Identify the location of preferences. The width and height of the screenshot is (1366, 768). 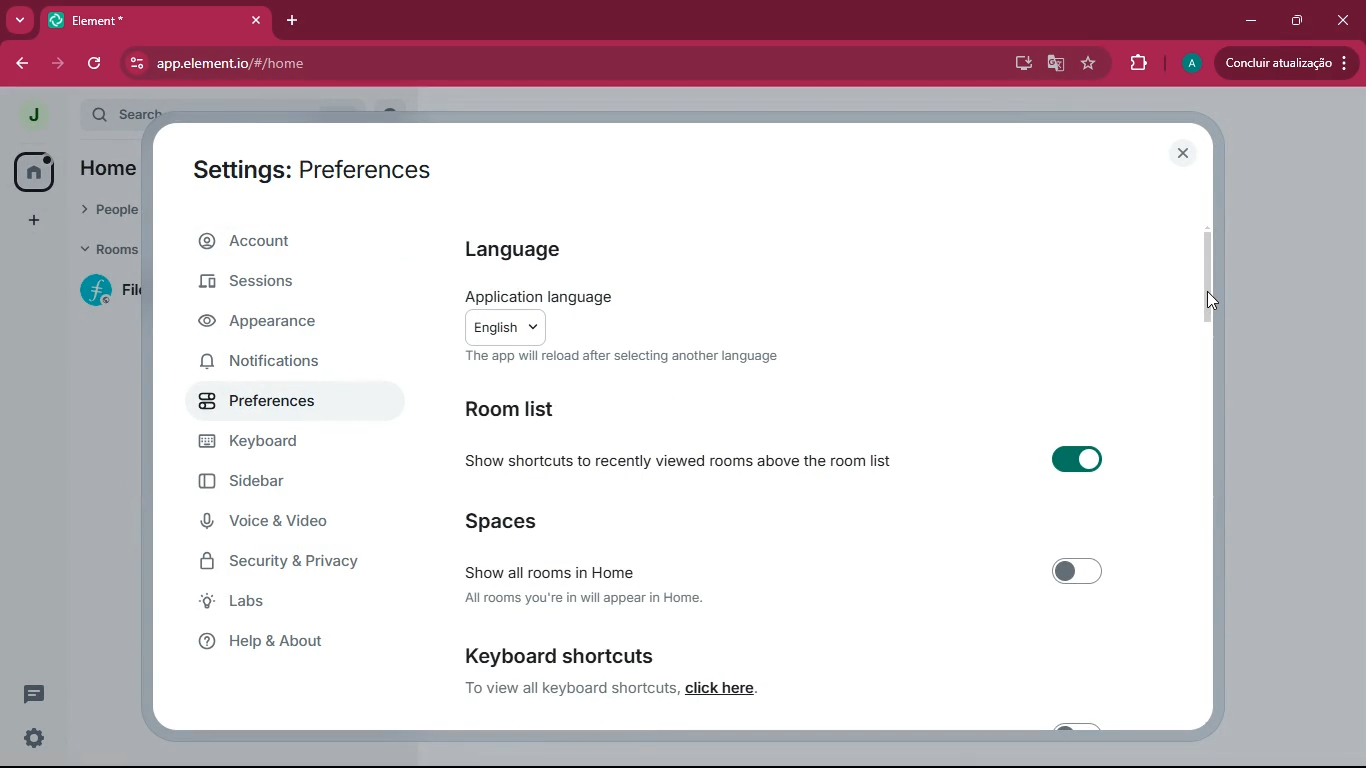
(277, 402).